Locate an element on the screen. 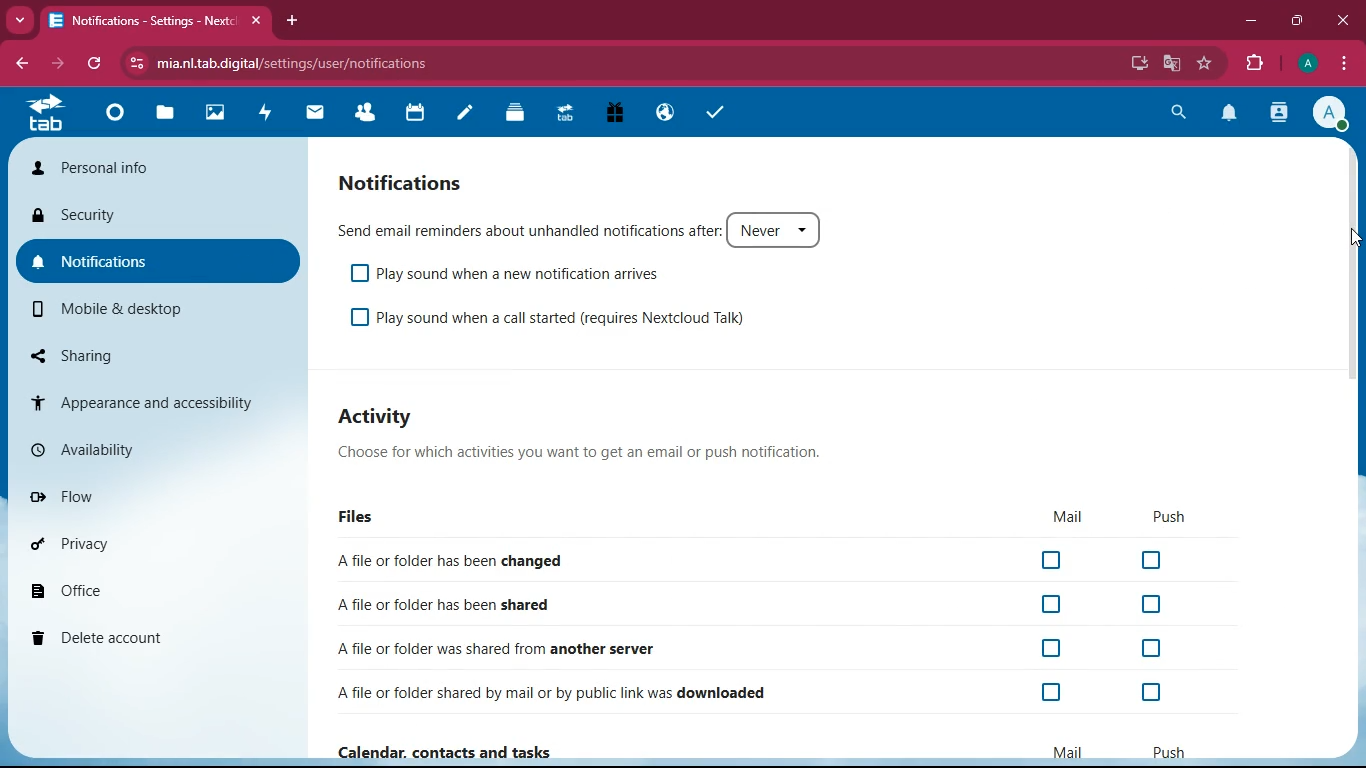  options is located at coordinates (1345, 63).